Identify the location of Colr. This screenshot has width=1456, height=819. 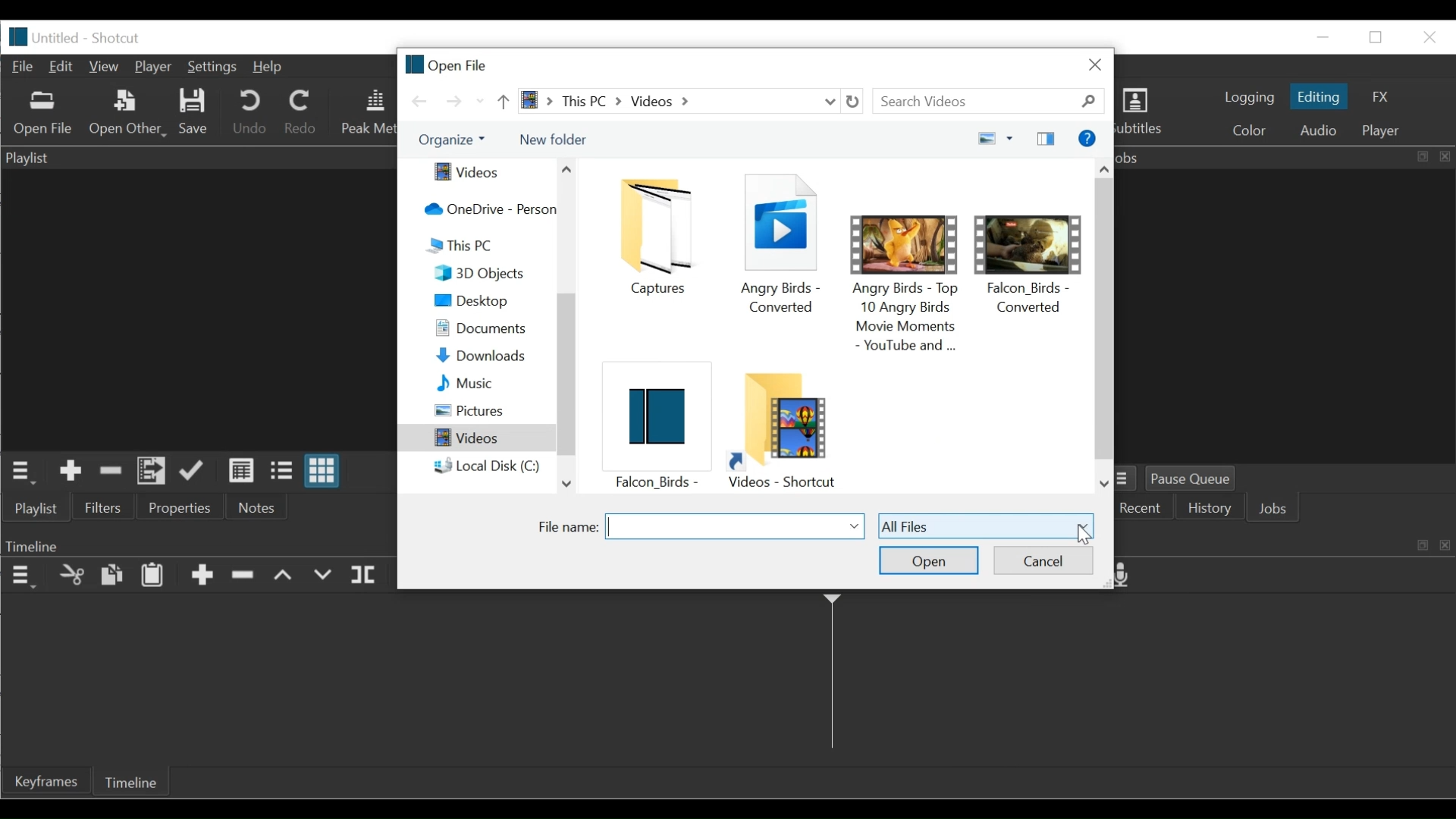
(1250, 129).